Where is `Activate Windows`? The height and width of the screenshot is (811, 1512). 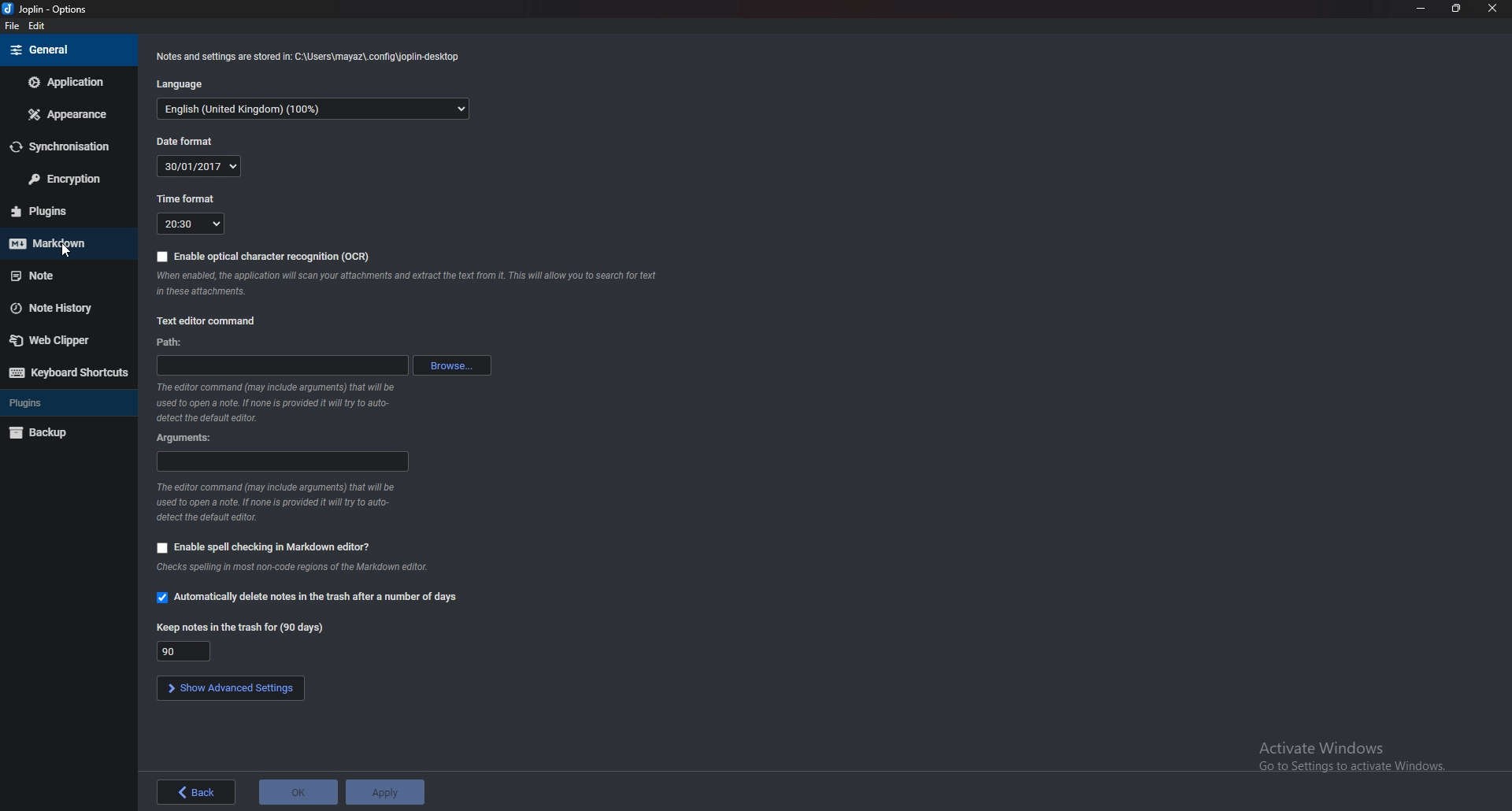
Activate Windows is located at coordinates (1351, 756).